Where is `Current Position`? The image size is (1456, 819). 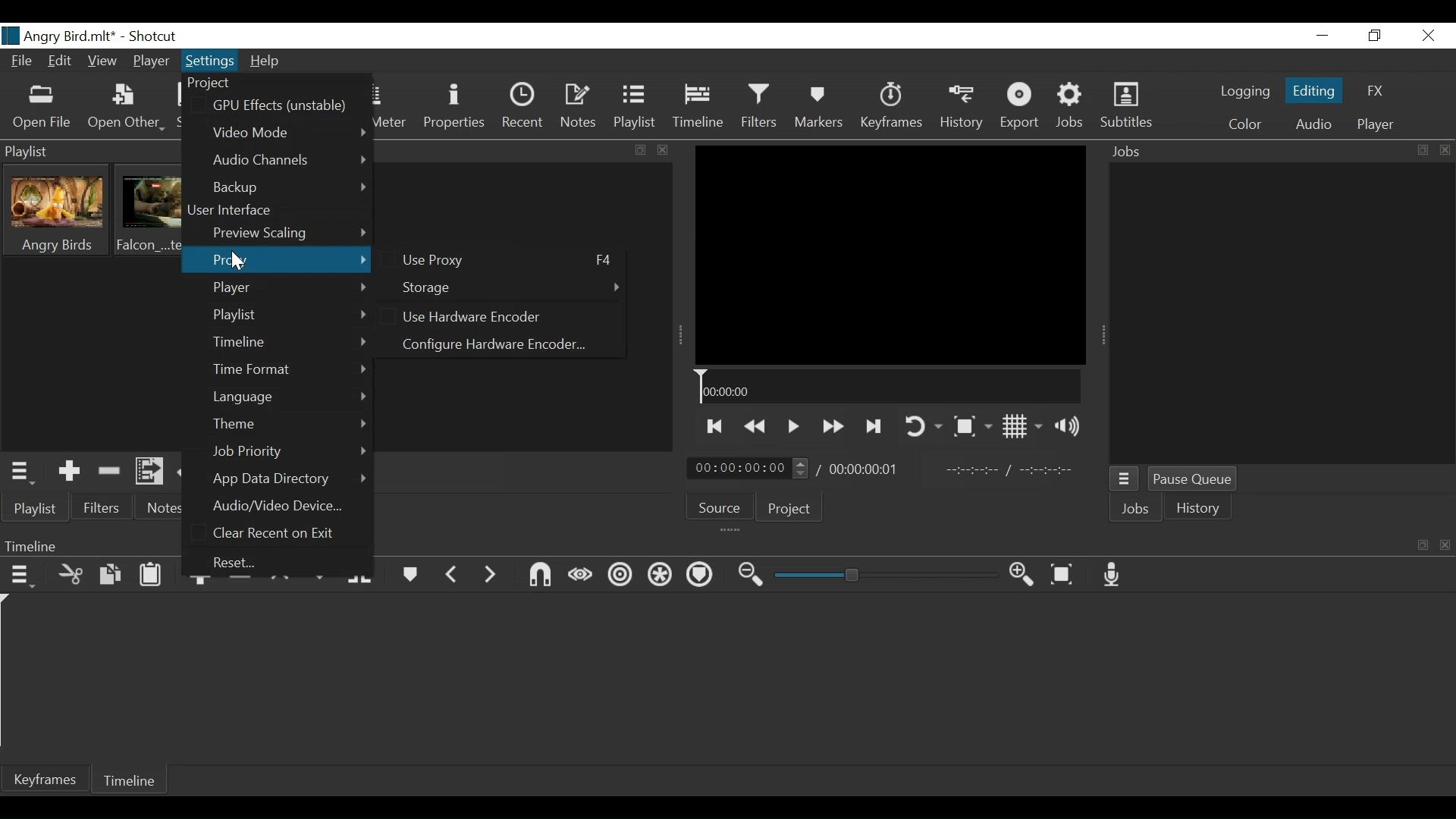 Current Position is located at coordinates (747, 467).